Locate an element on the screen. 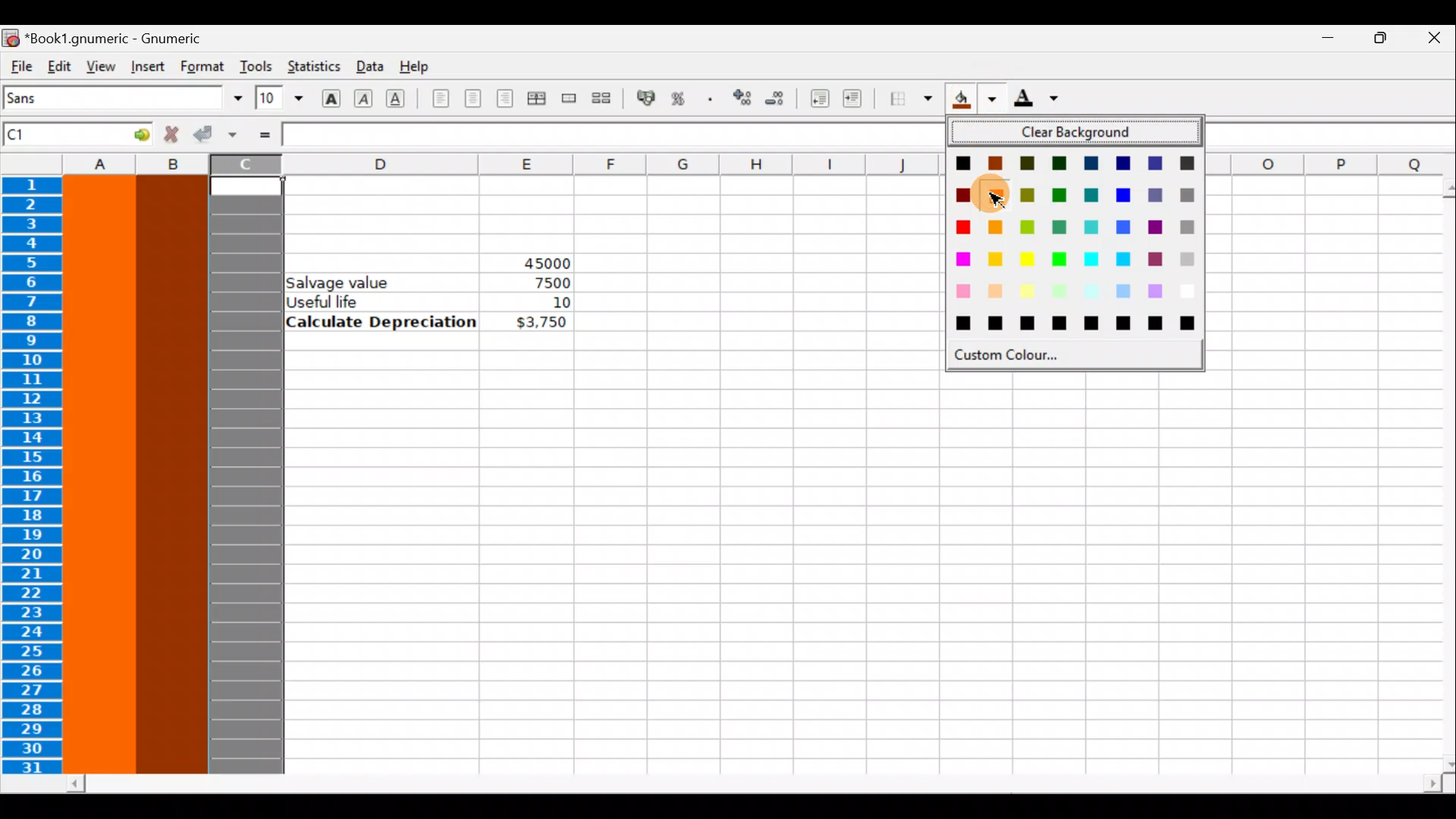 The image size is (1456, 819). Color palette is located at coordinates (1075, 243).